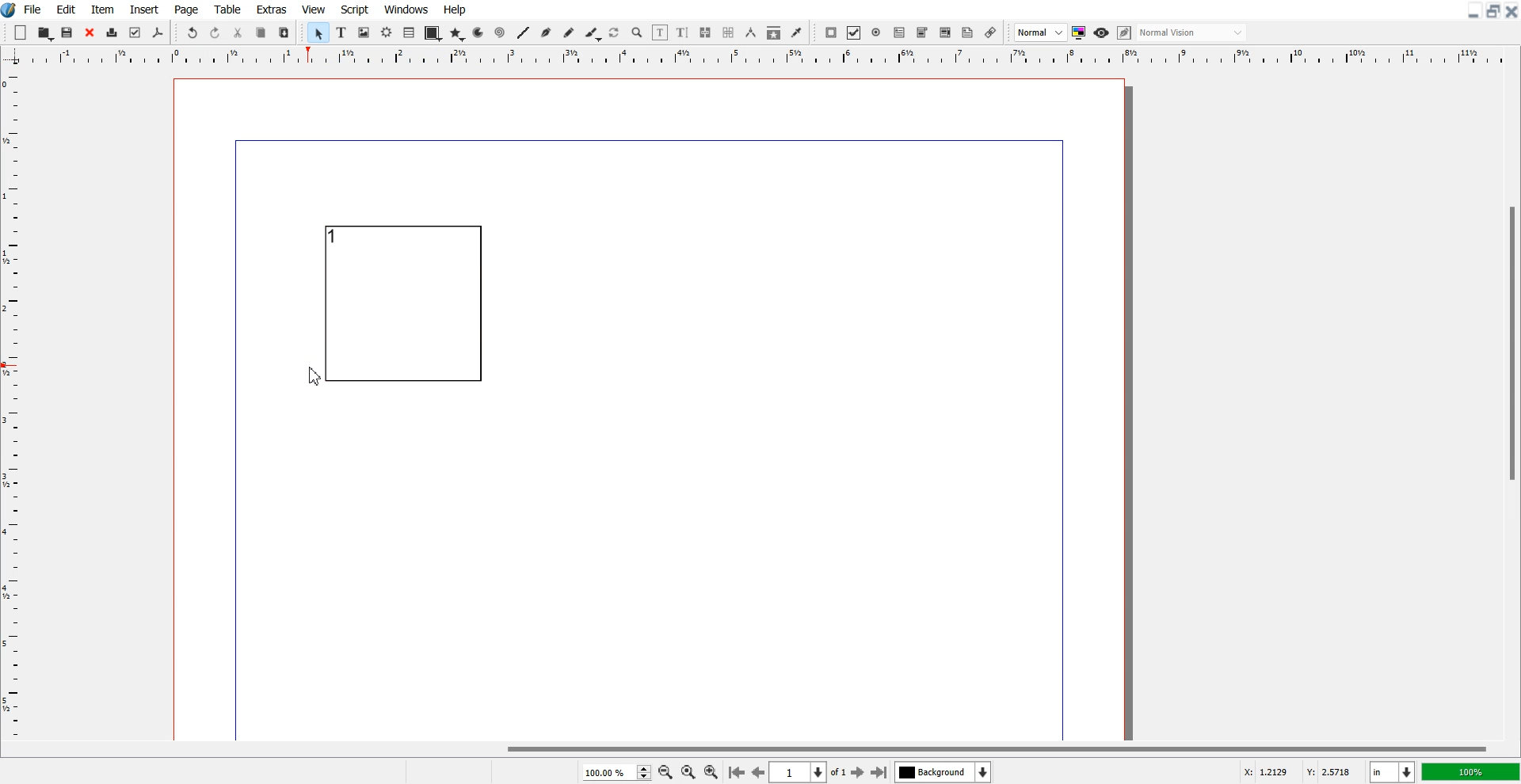 The image size is (1521, 784). I want to click on Text Annotation, so click(967, 33).